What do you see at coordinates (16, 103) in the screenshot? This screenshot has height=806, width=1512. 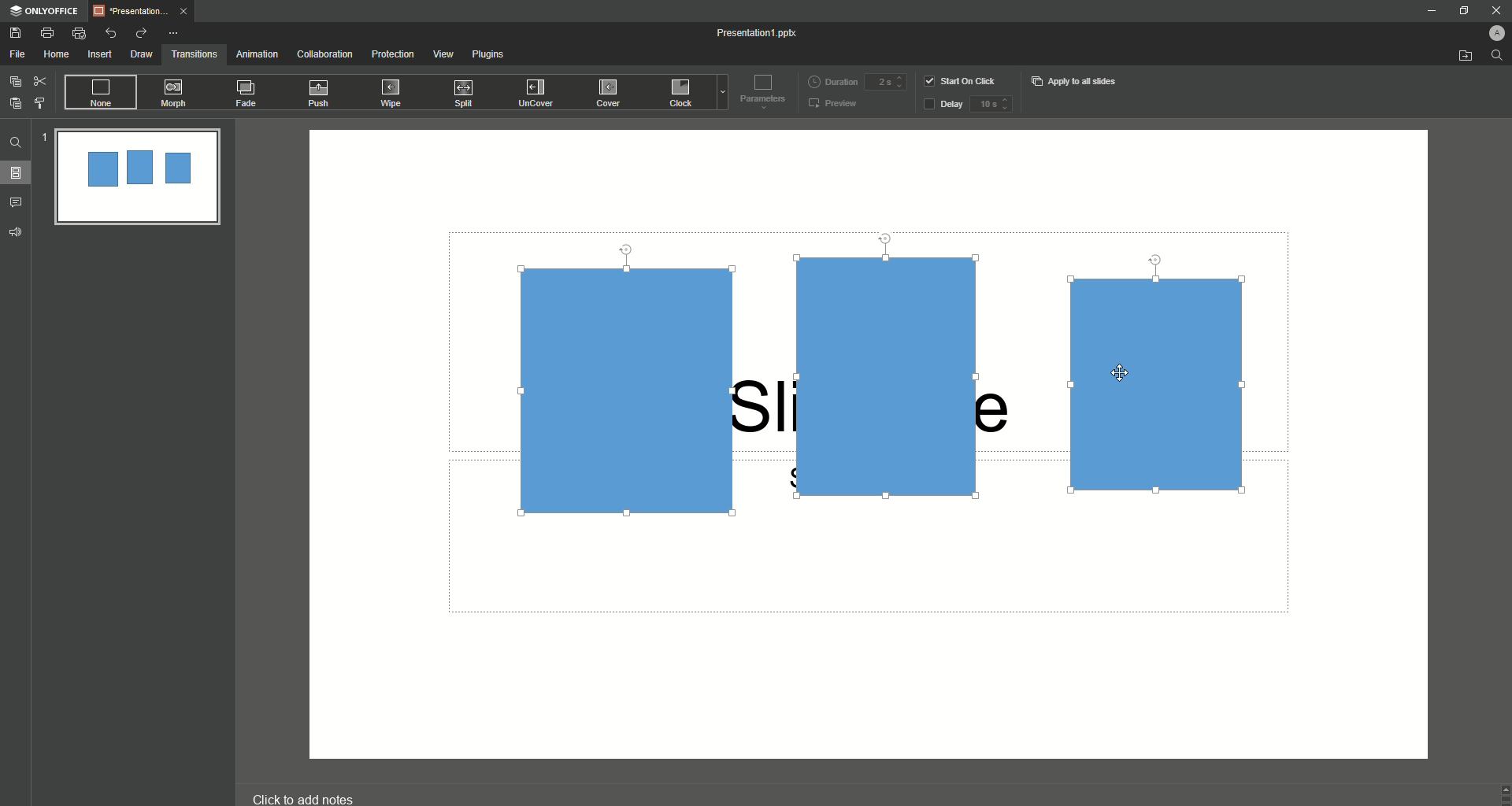 I see `Paste` at bounding box center [16, 103].